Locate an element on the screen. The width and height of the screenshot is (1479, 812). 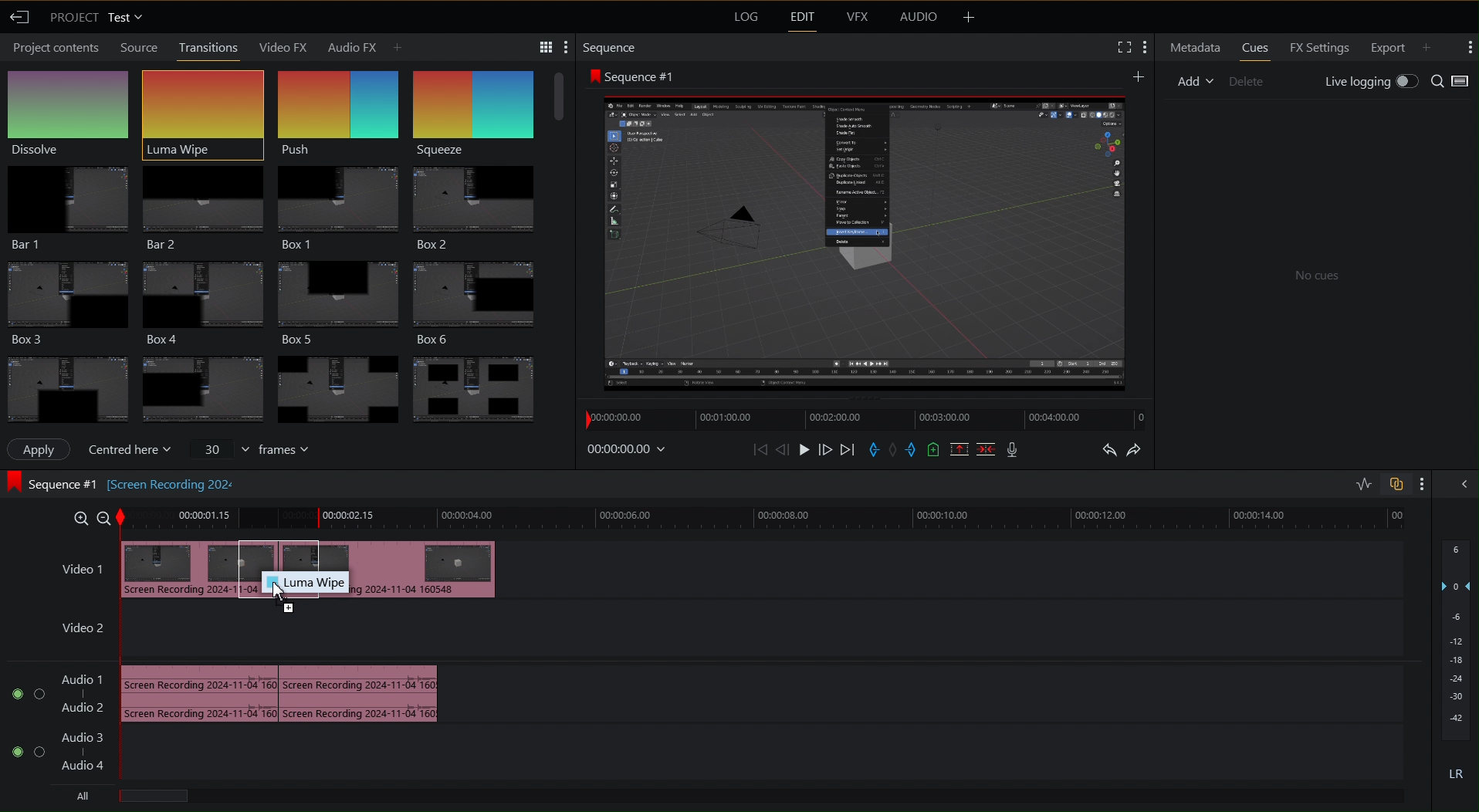
Box 2 is located at coordinates (481, 205).